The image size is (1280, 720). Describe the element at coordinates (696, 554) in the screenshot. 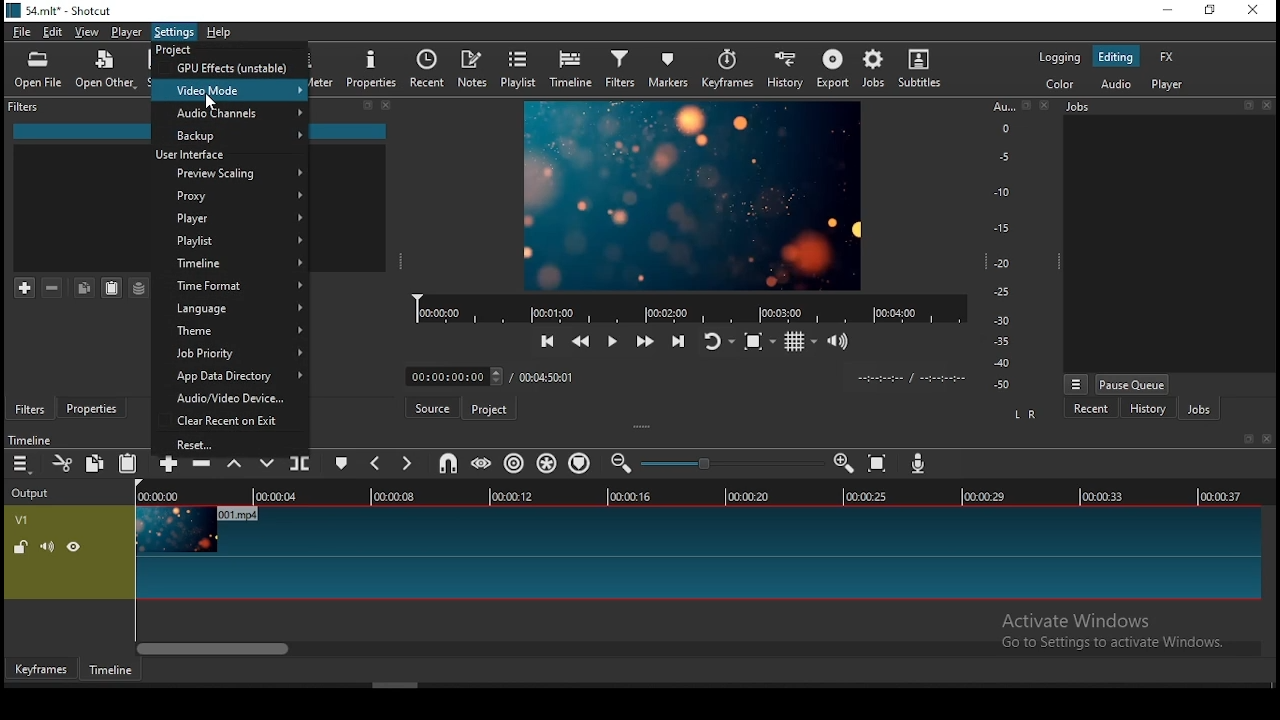

I see `video track` at that location.